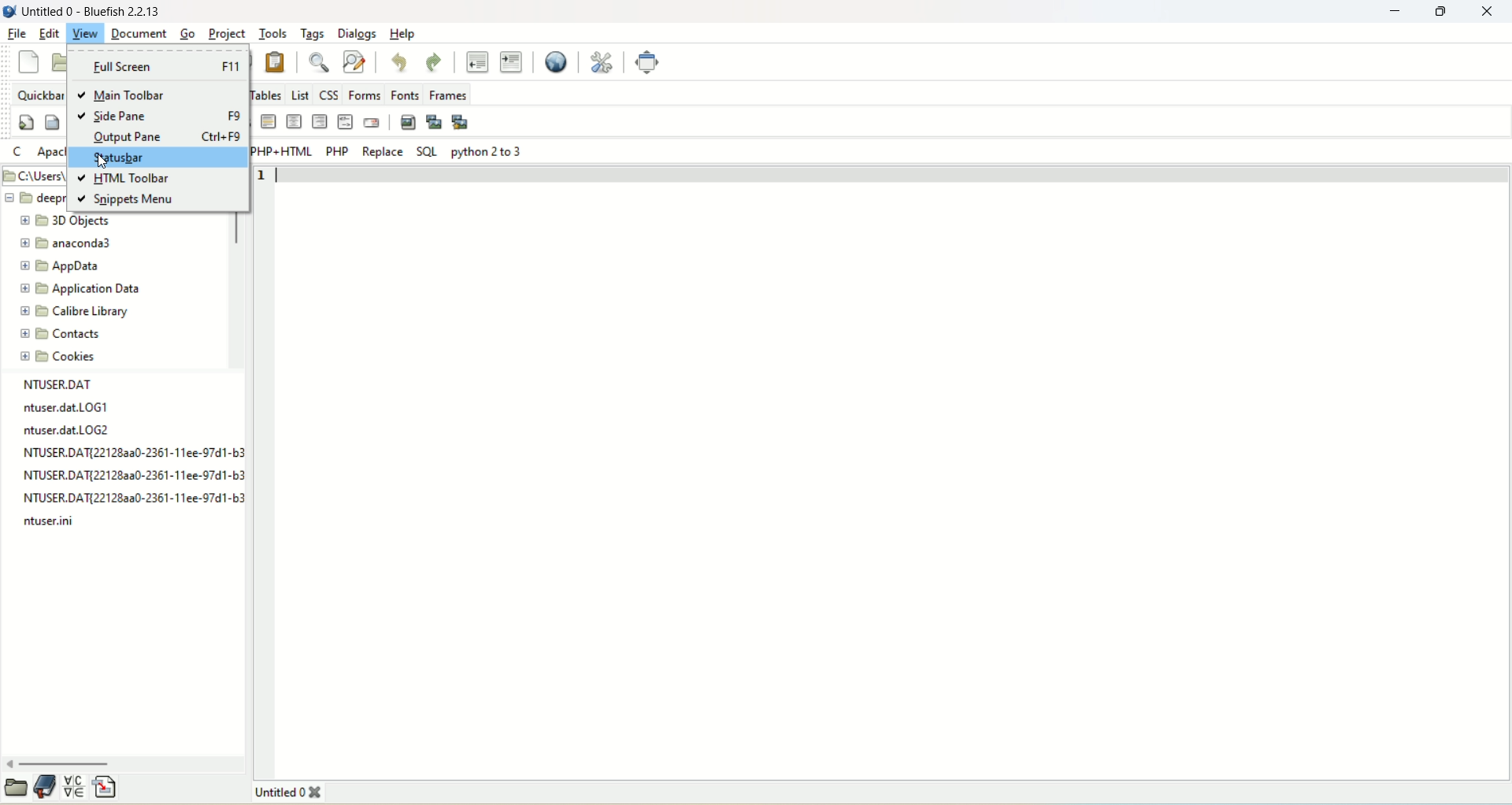 The height and width of the screenshot is (805, 1512). I want to click on unindent, so click(476, 63).